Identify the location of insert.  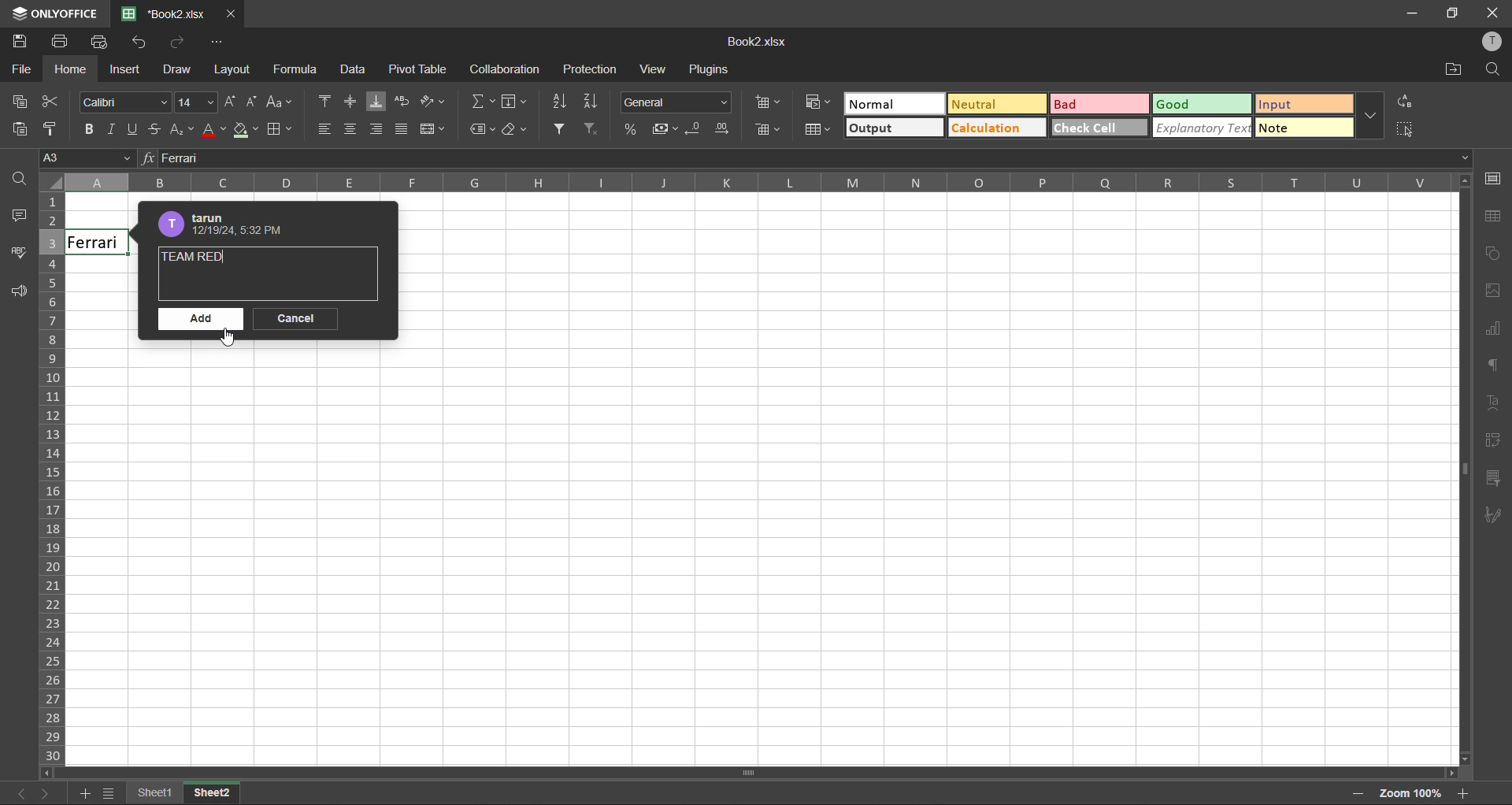
(125, 69).